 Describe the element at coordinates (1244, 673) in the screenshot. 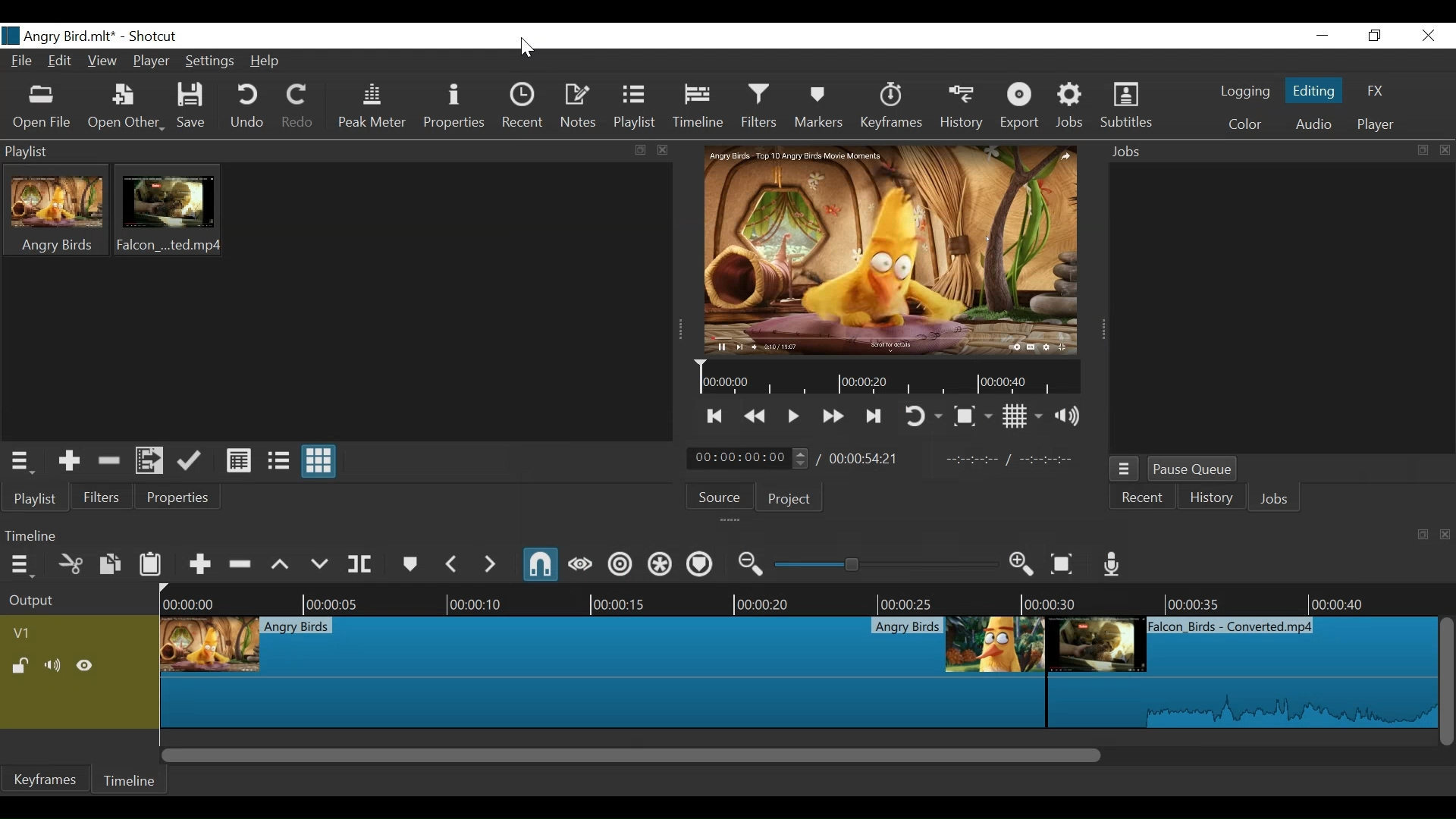

I see `Clip ` at that location.